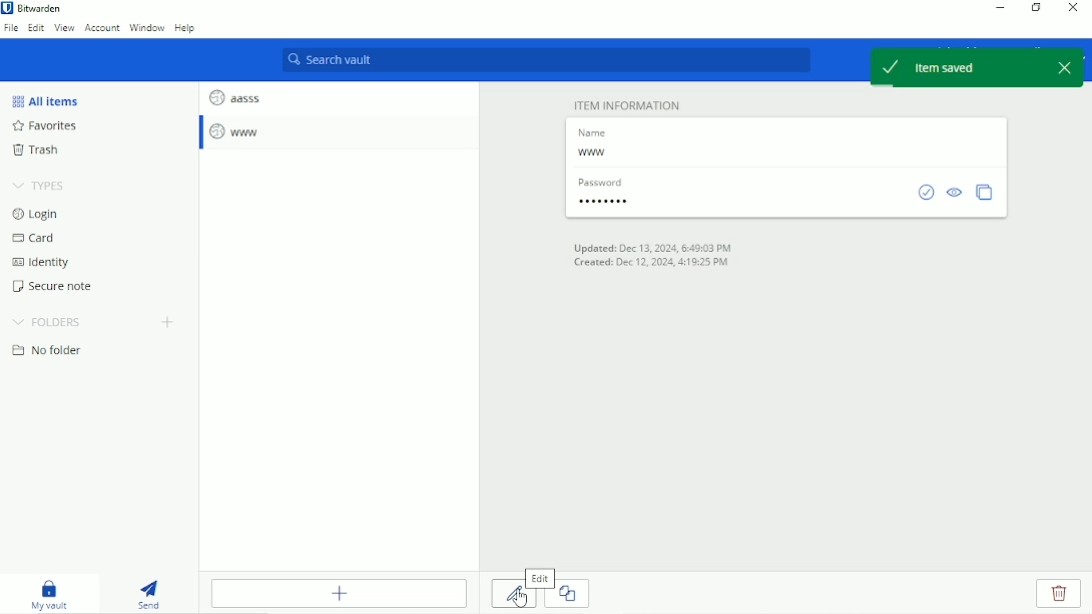 Image resolution: width=1092 pixels, height=614 pixels. I want to click on www, so click(237, 132).